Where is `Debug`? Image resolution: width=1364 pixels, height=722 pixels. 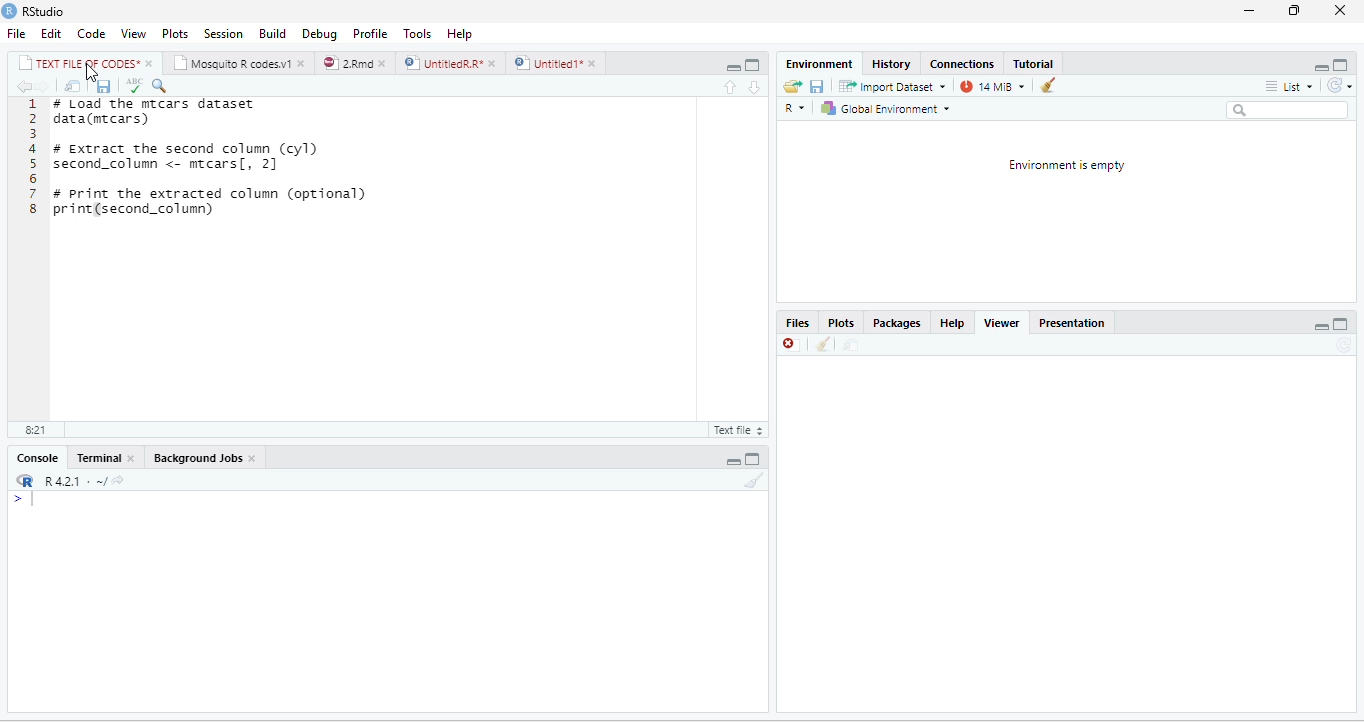
Debug is located at coordinates (317, 32).